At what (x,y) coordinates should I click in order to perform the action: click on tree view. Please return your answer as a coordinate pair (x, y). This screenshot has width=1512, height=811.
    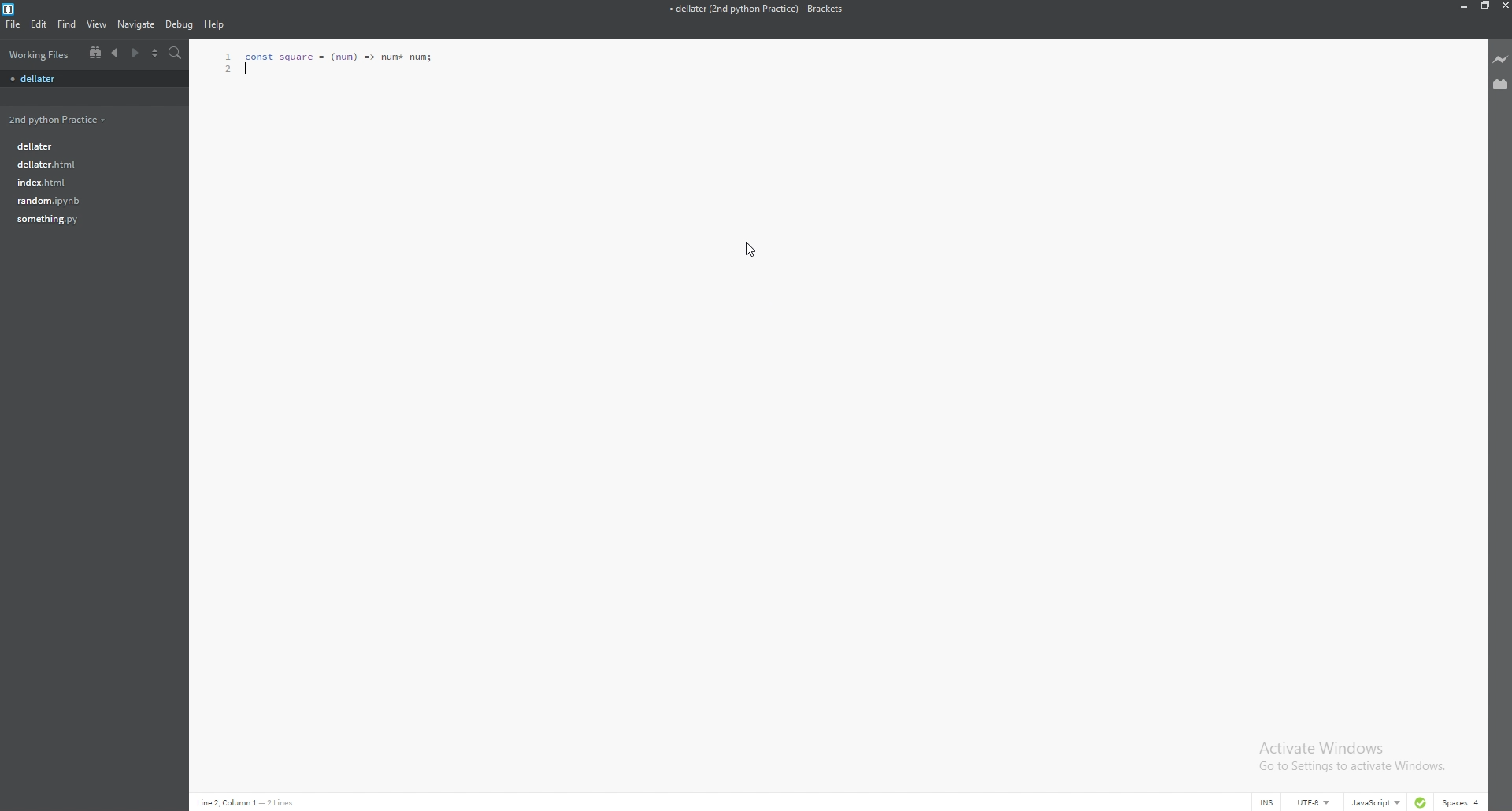
    Looking at the image, I should click on (95, 54).